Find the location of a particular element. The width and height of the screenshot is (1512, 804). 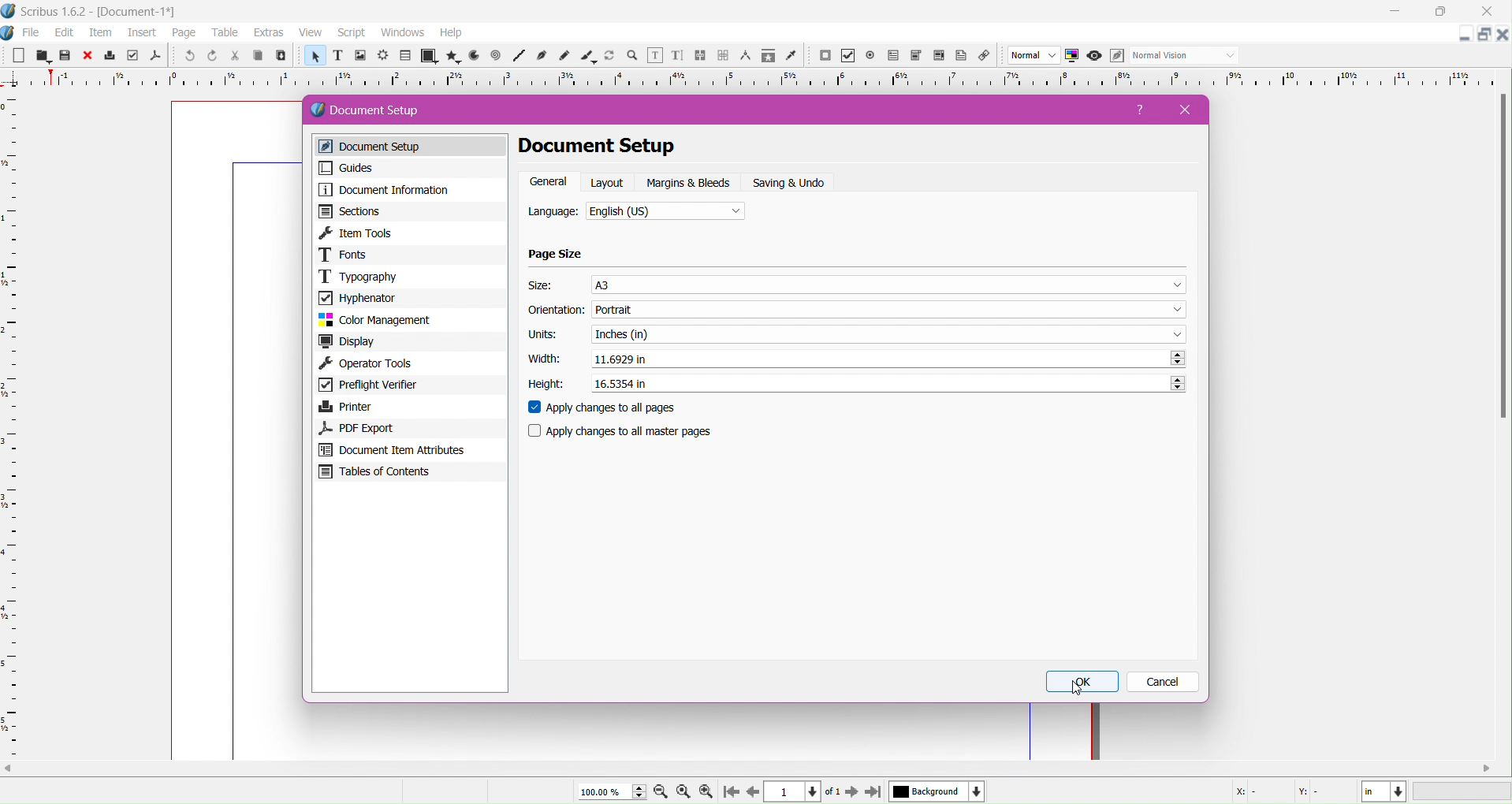

 is located at coordinates (156, 56).